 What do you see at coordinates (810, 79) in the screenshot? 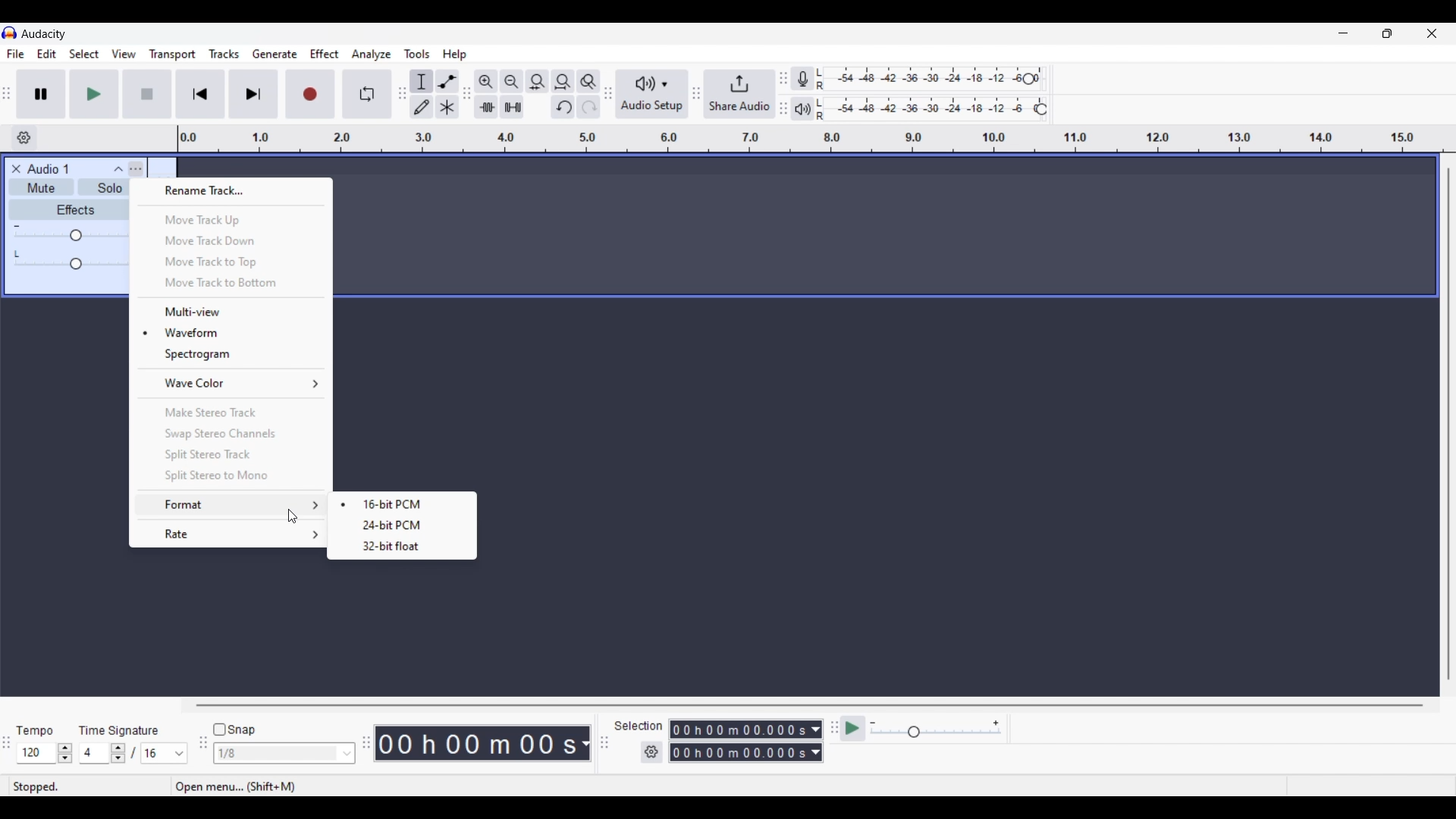
I see `Record meter` at bounding box center [810, 79].